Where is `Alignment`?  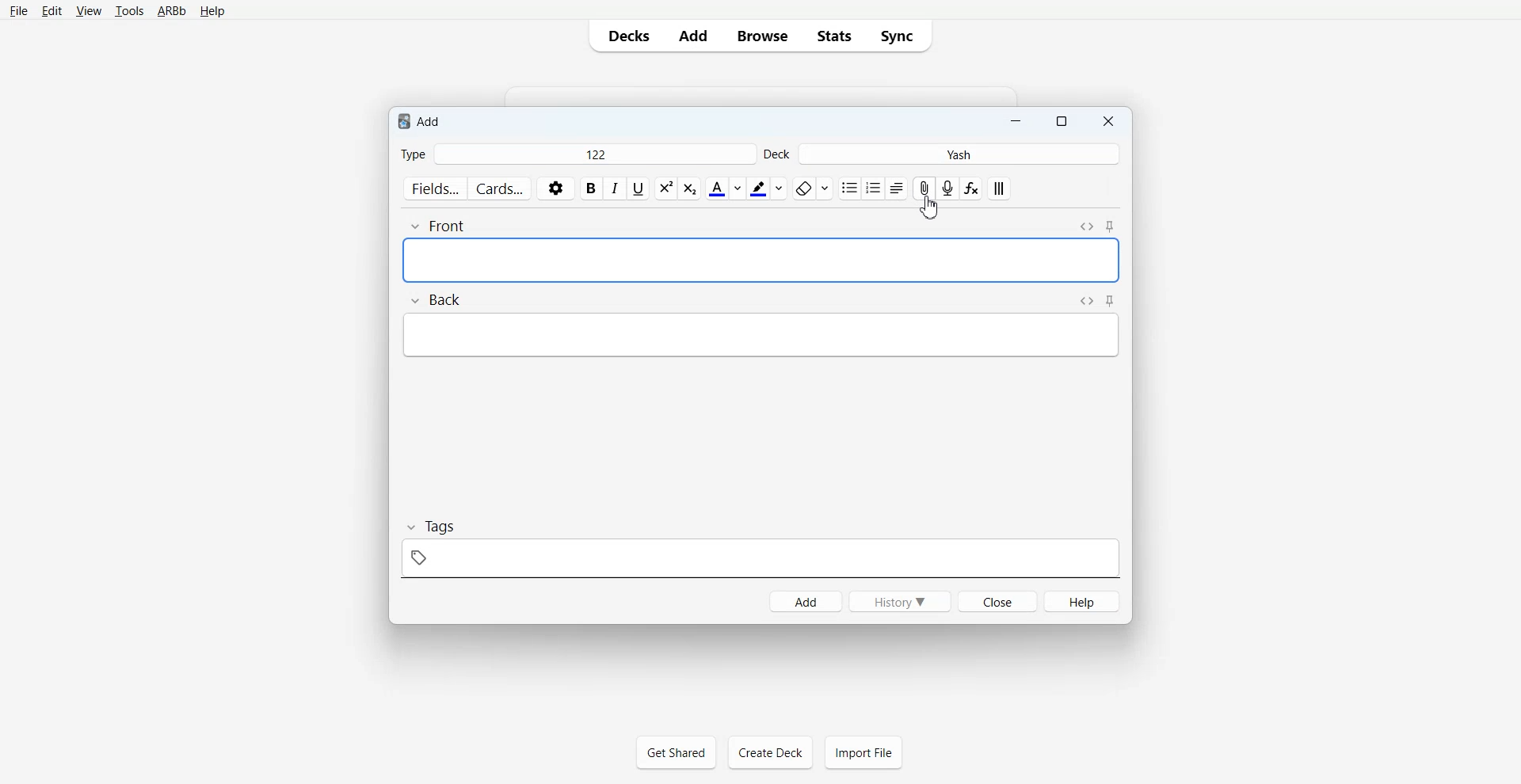 Alignment is located at coordinates (897, 188).